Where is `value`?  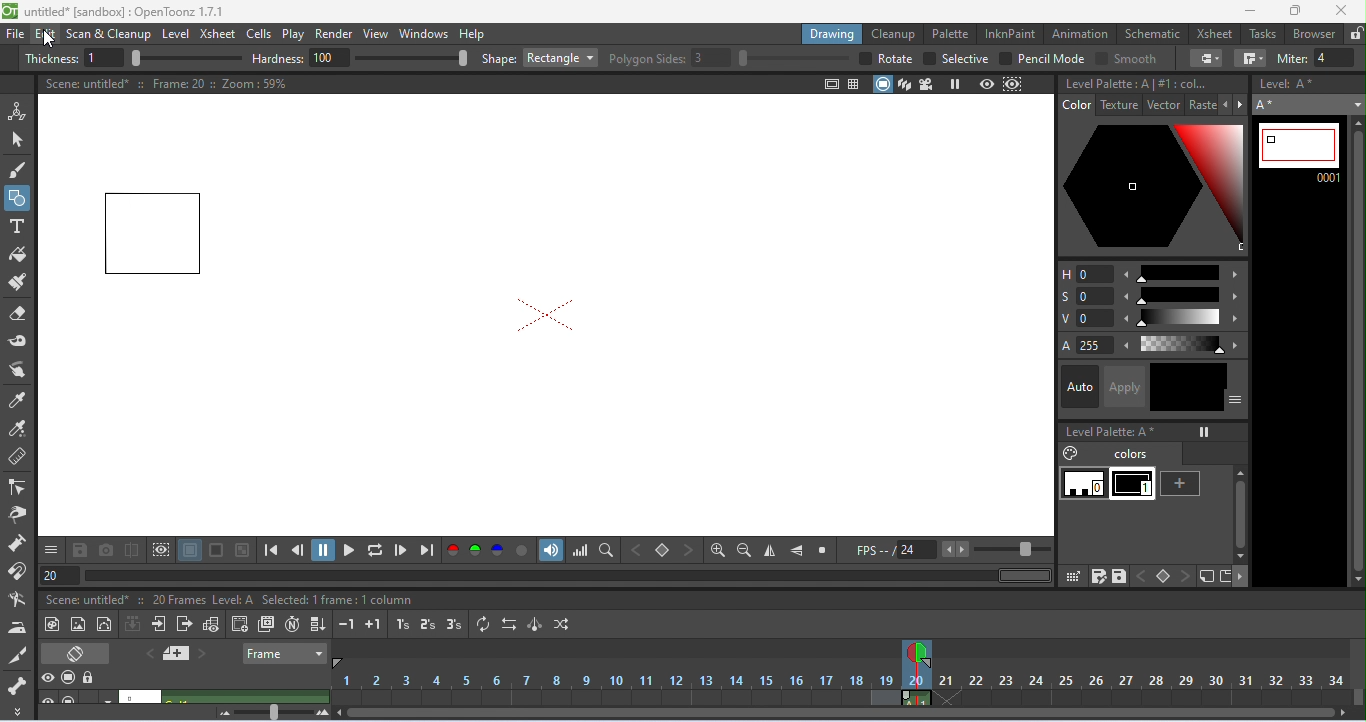 value is located at coordinates (1153, 319).